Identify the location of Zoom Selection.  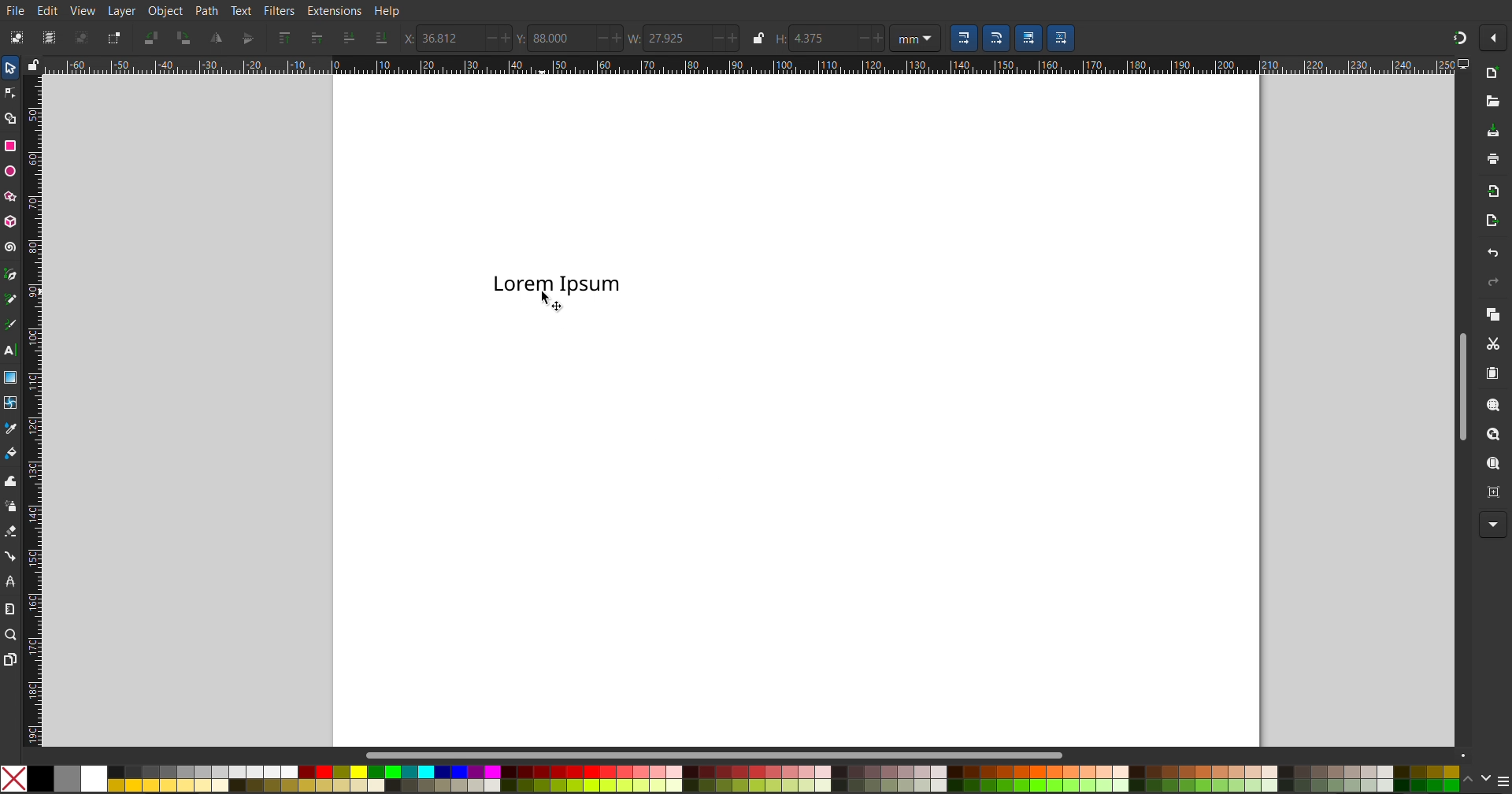
(1488, 404).